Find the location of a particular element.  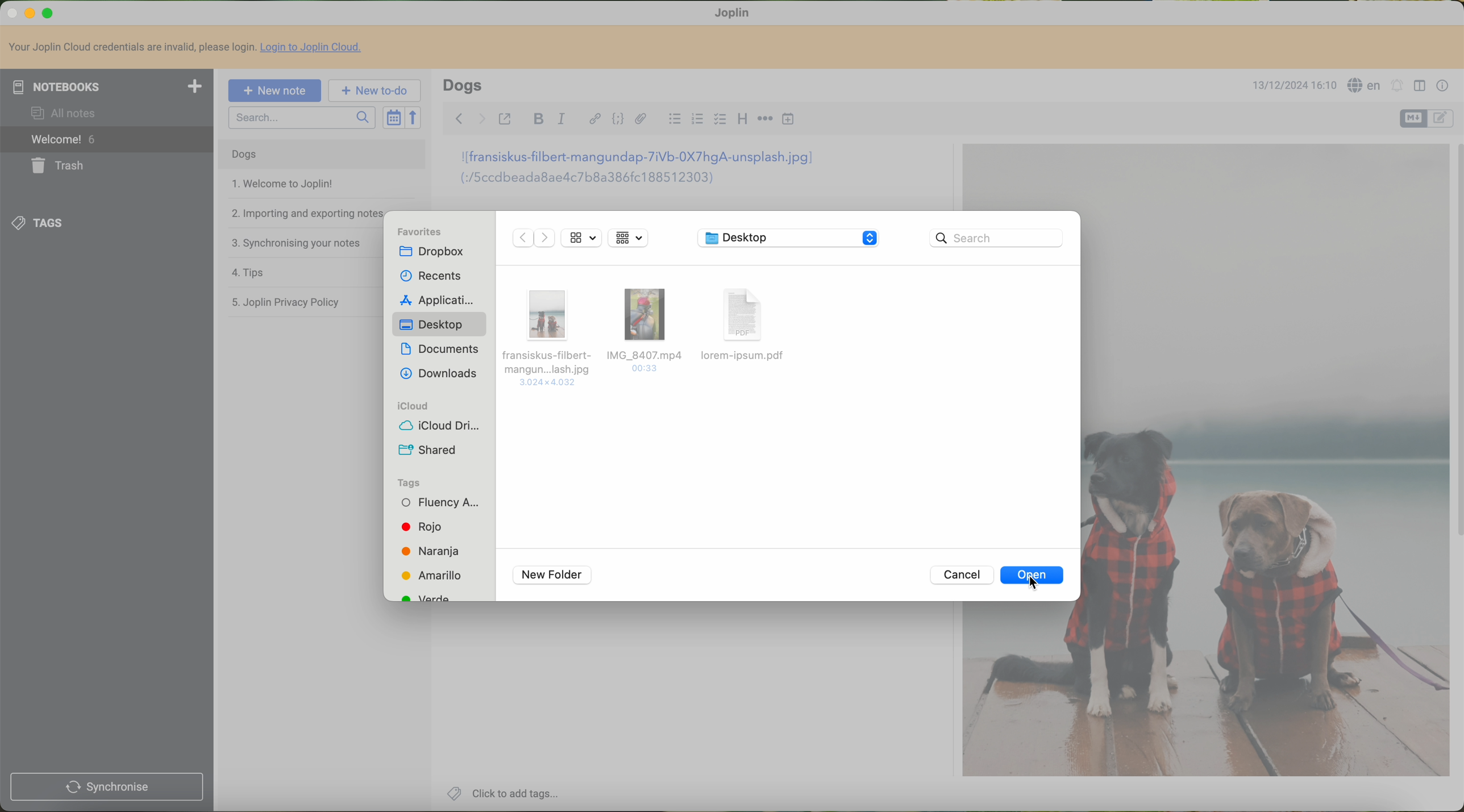

importing and exporting notes is located at coordinates (305, 212).